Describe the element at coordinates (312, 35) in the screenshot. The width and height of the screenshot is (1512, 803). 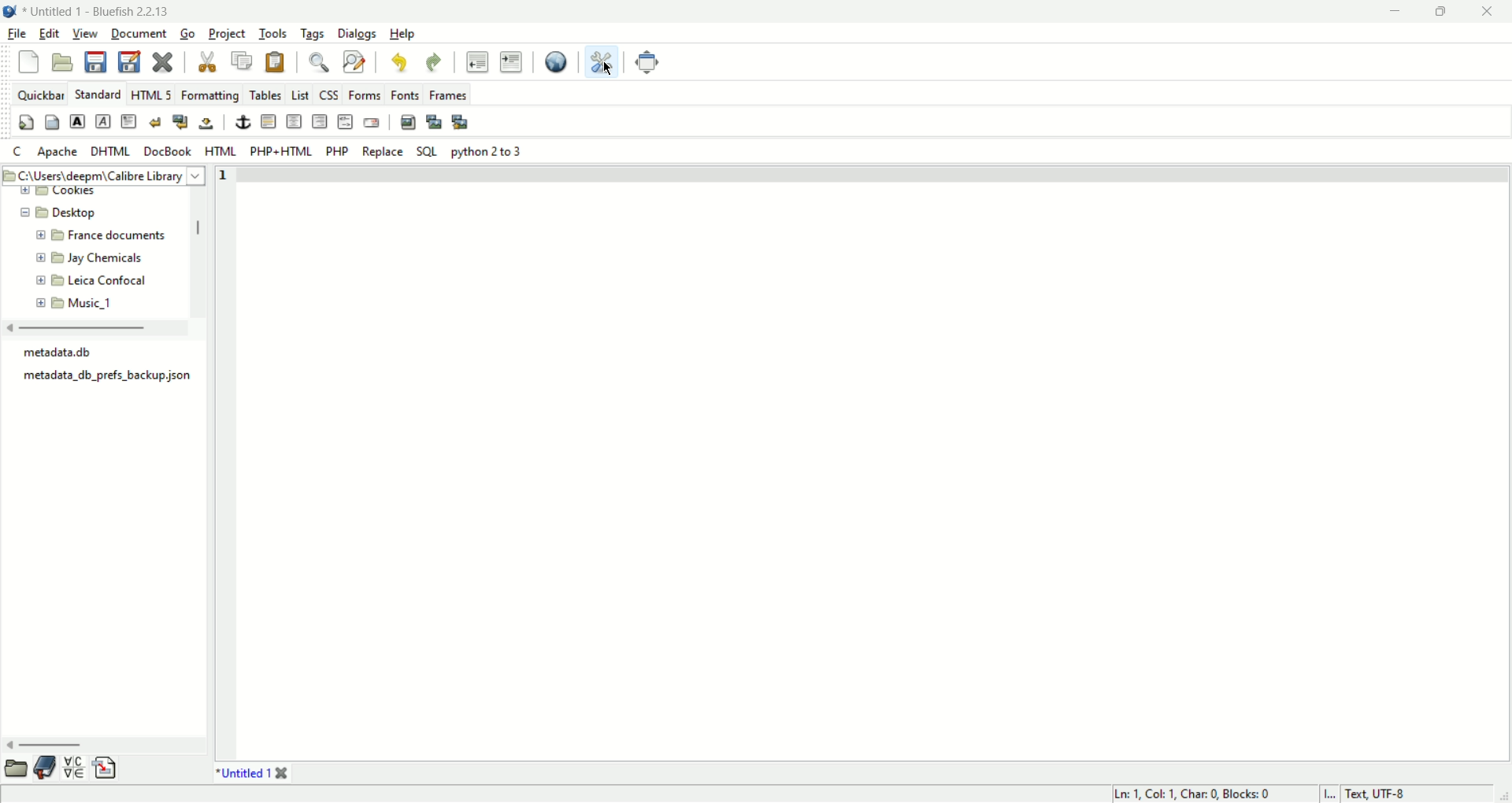
I see `tags` at that location.